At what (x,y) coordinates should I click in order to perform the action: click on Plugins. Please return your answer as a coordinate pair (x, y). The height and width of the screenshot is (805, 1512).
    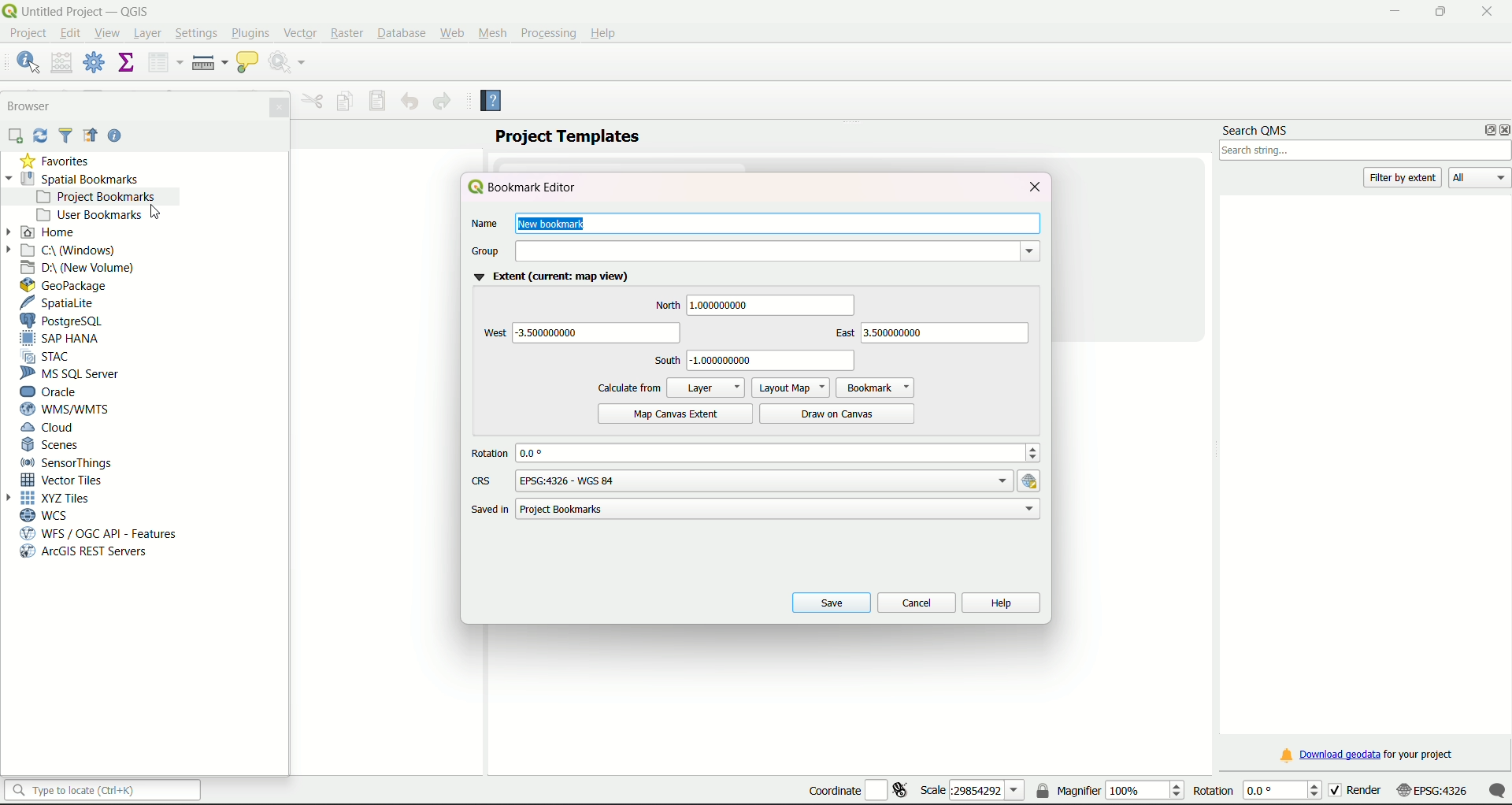
    Looking at the image, I should click on (250, 33).